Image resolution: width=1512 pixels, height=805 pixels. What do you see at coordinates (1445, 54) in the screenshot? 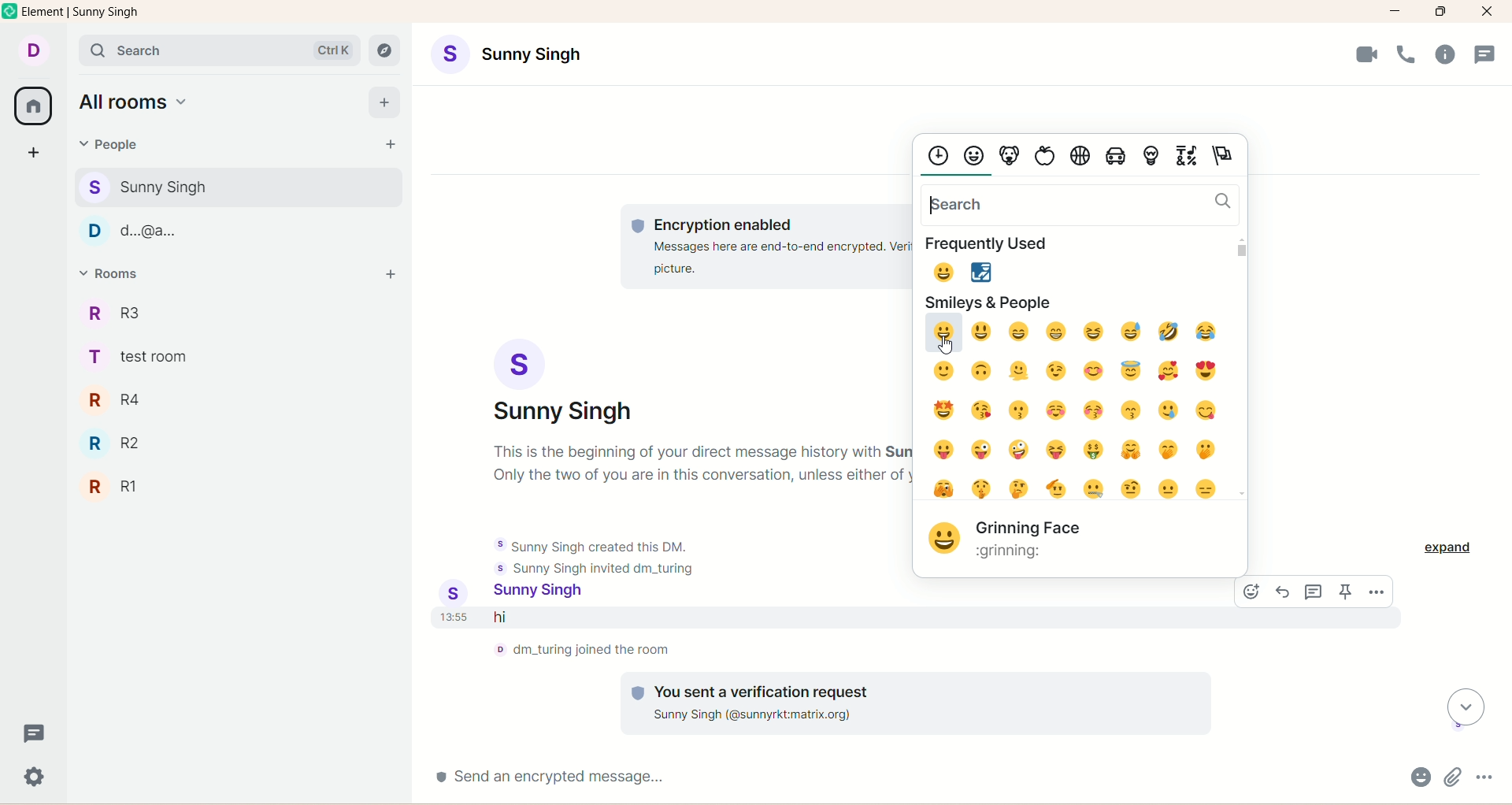
I see `room info` at bounding box center [1445, 54].